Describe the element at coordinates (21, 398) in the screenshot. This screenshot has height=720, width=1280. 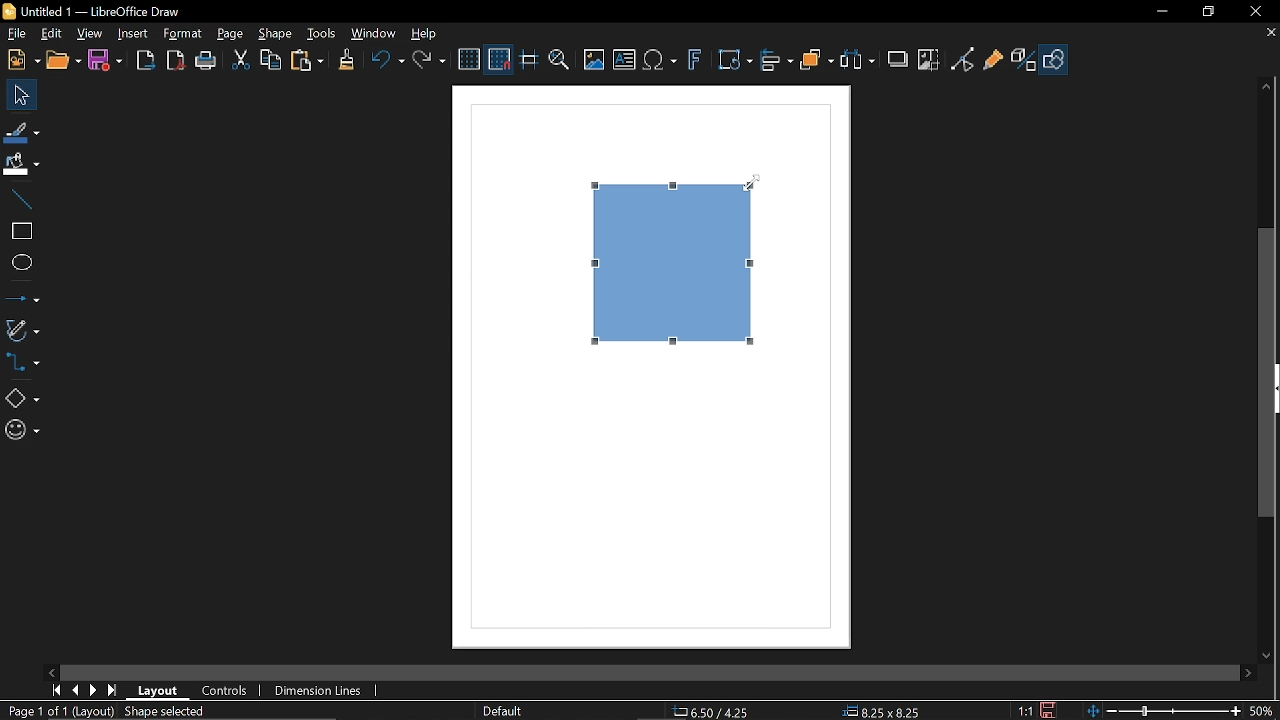
I see `Basic shapes` at that location.